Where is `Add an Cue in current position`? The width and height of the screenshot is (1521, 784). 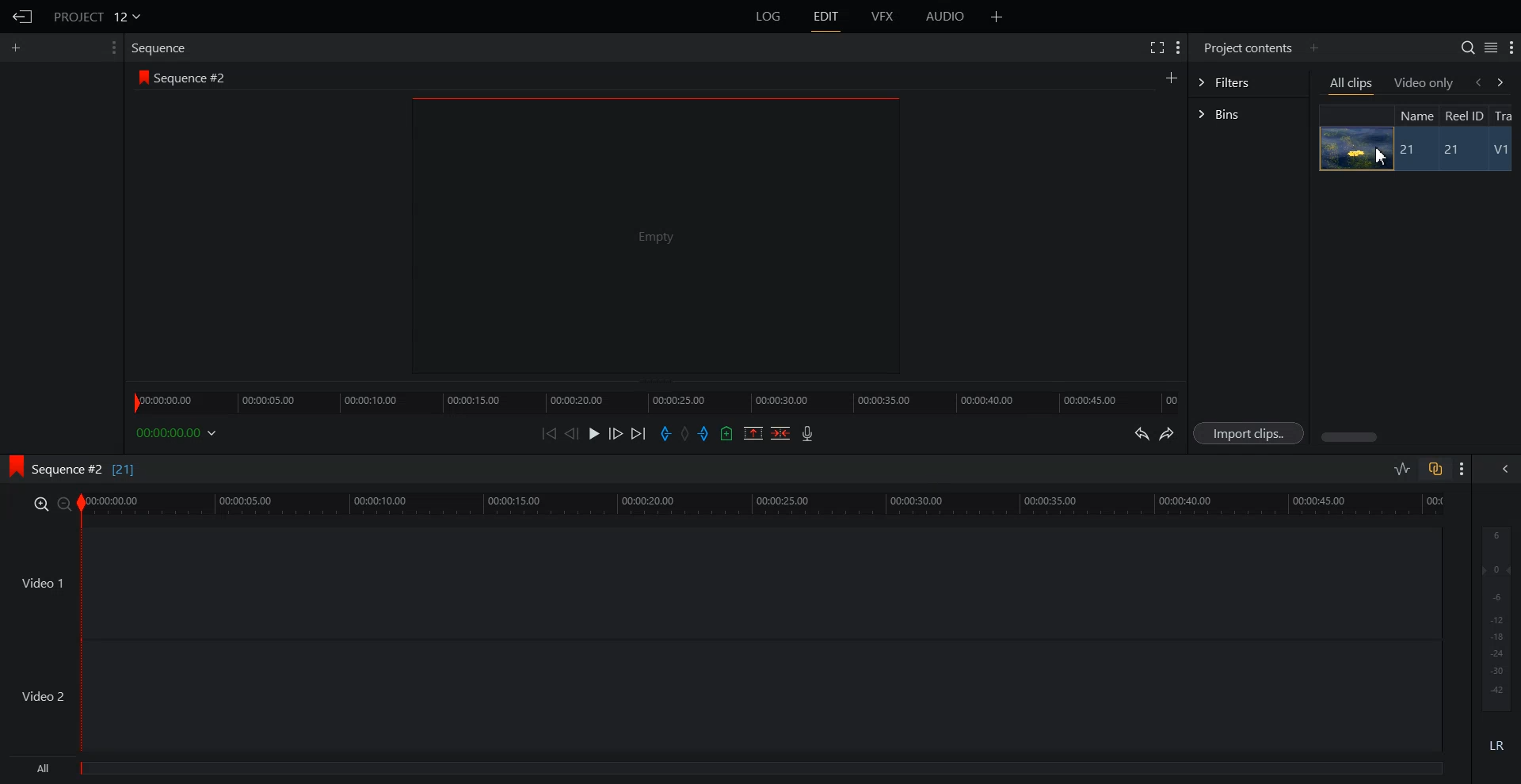 Add an Cue in current position is located at coordinates (727, 433).